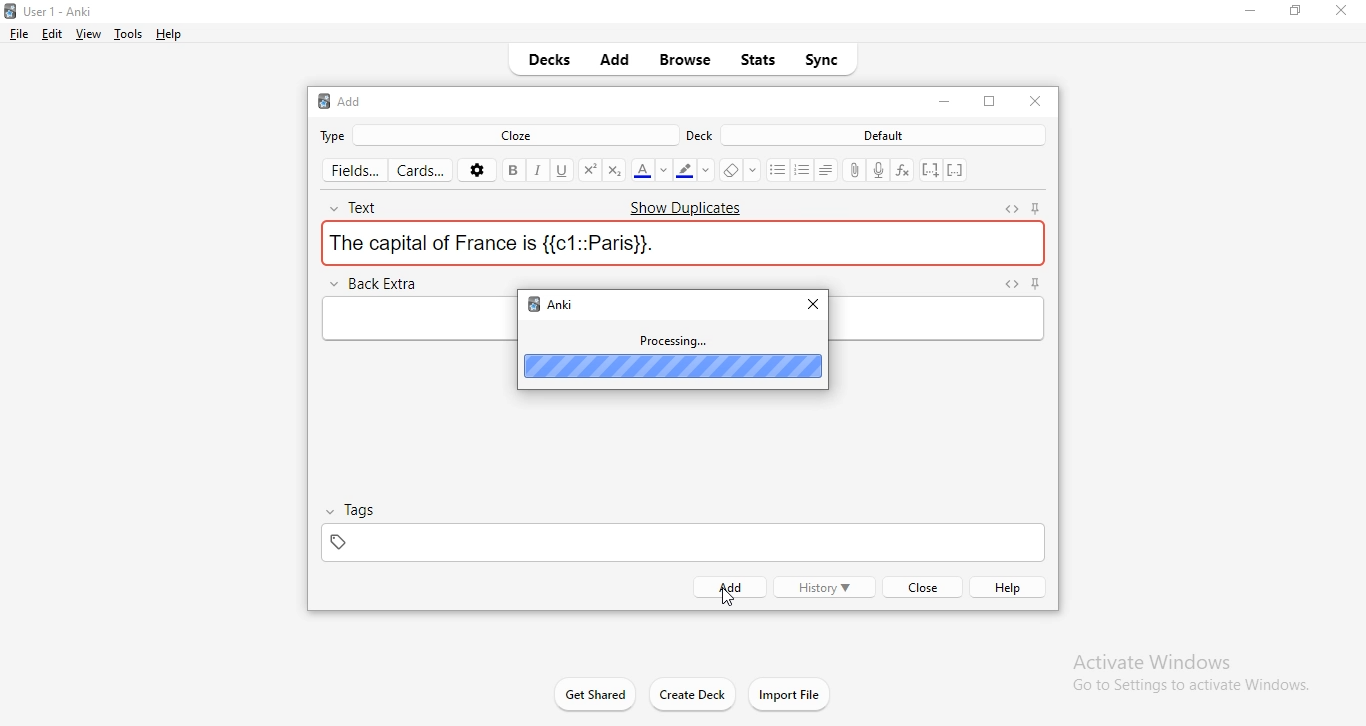  I want to click on restore, so click(991, 103).